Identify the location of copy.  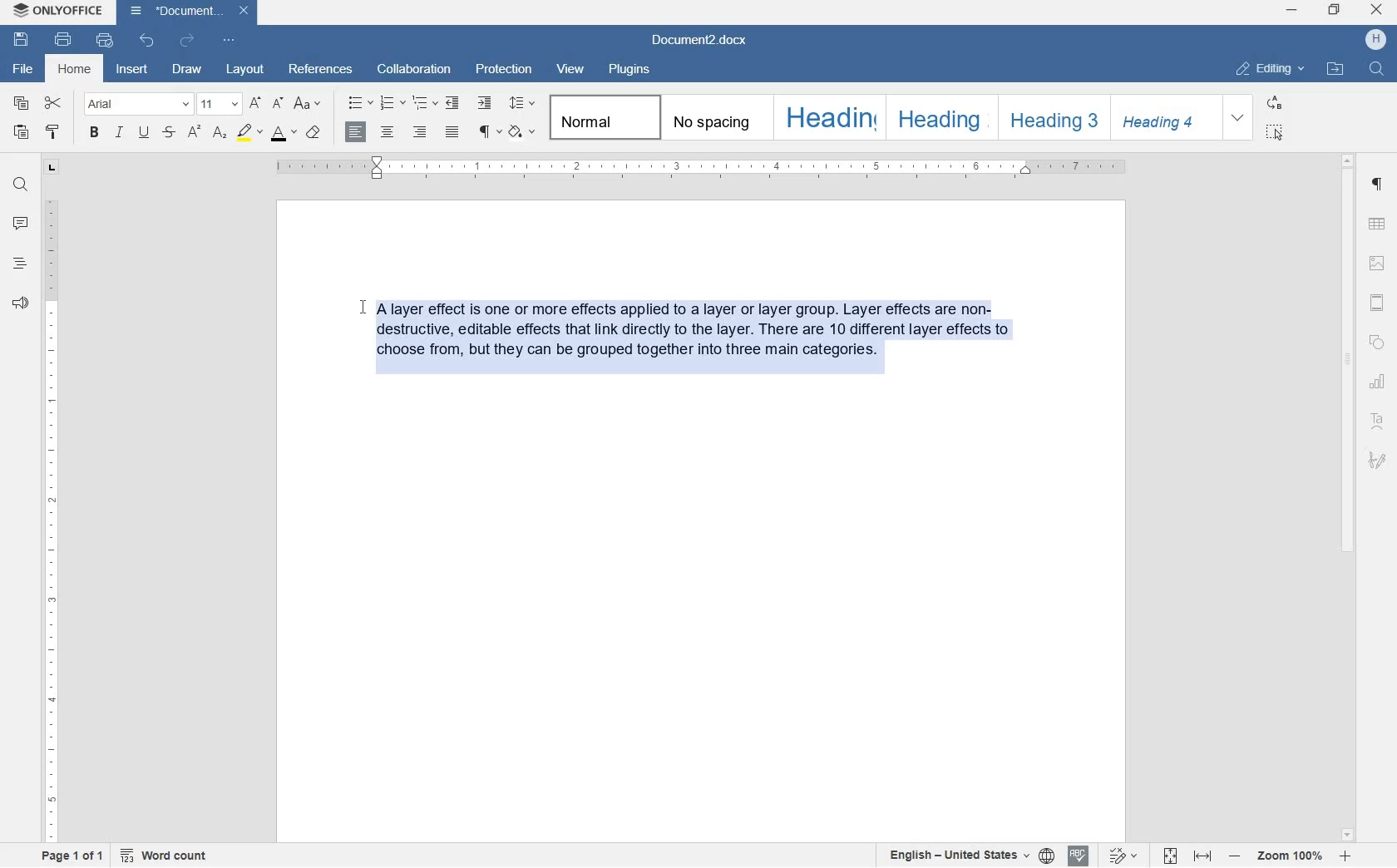
(21, 102).